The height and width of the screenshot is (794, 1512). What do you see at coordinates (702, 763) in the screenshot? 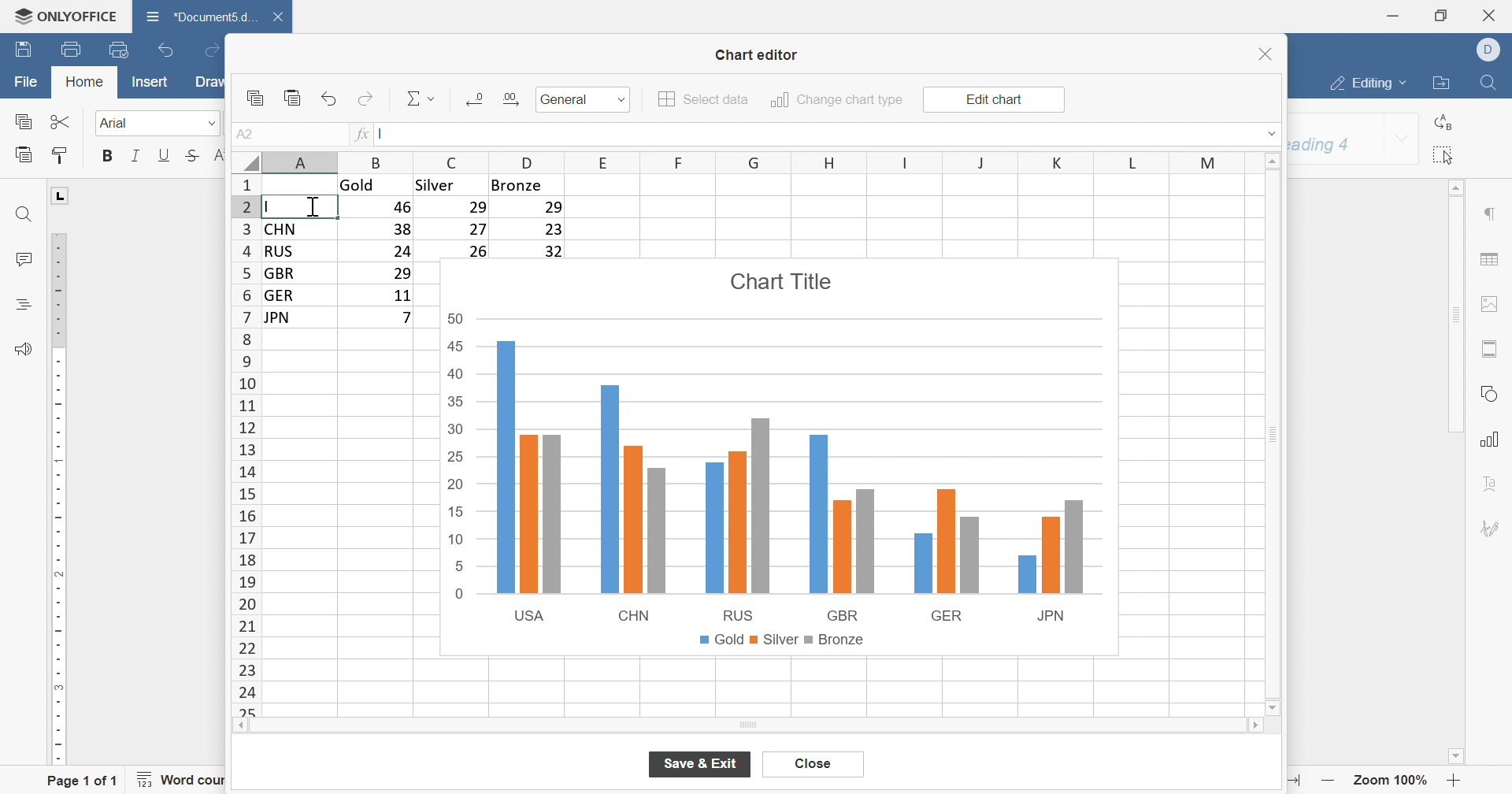
I see `save & exit` at bounding box center [702, 763].